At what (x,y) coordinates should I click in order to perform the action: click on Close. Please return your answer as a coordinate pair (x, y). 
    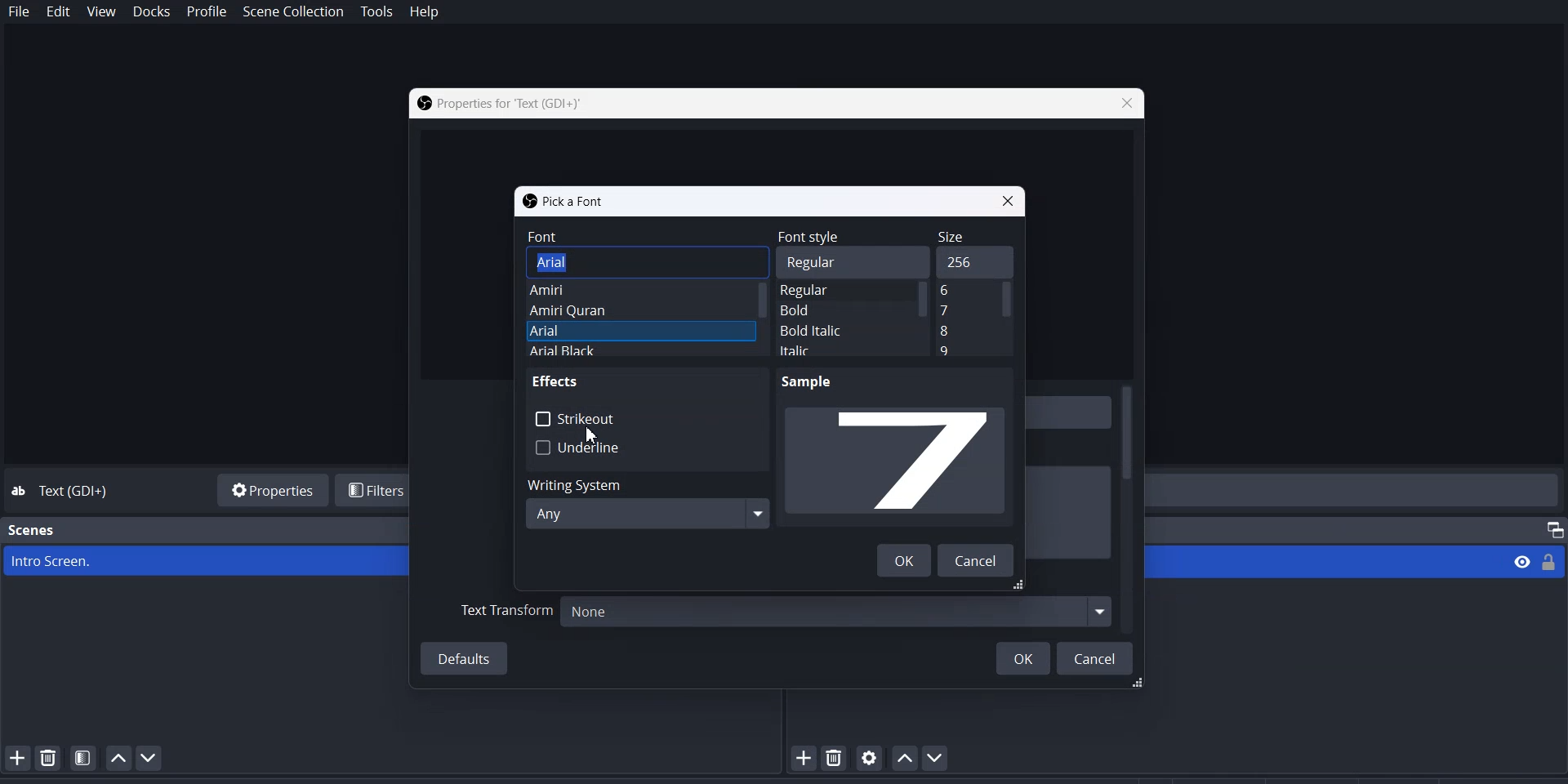
    Looking at the image, I should click on (1011, 199).